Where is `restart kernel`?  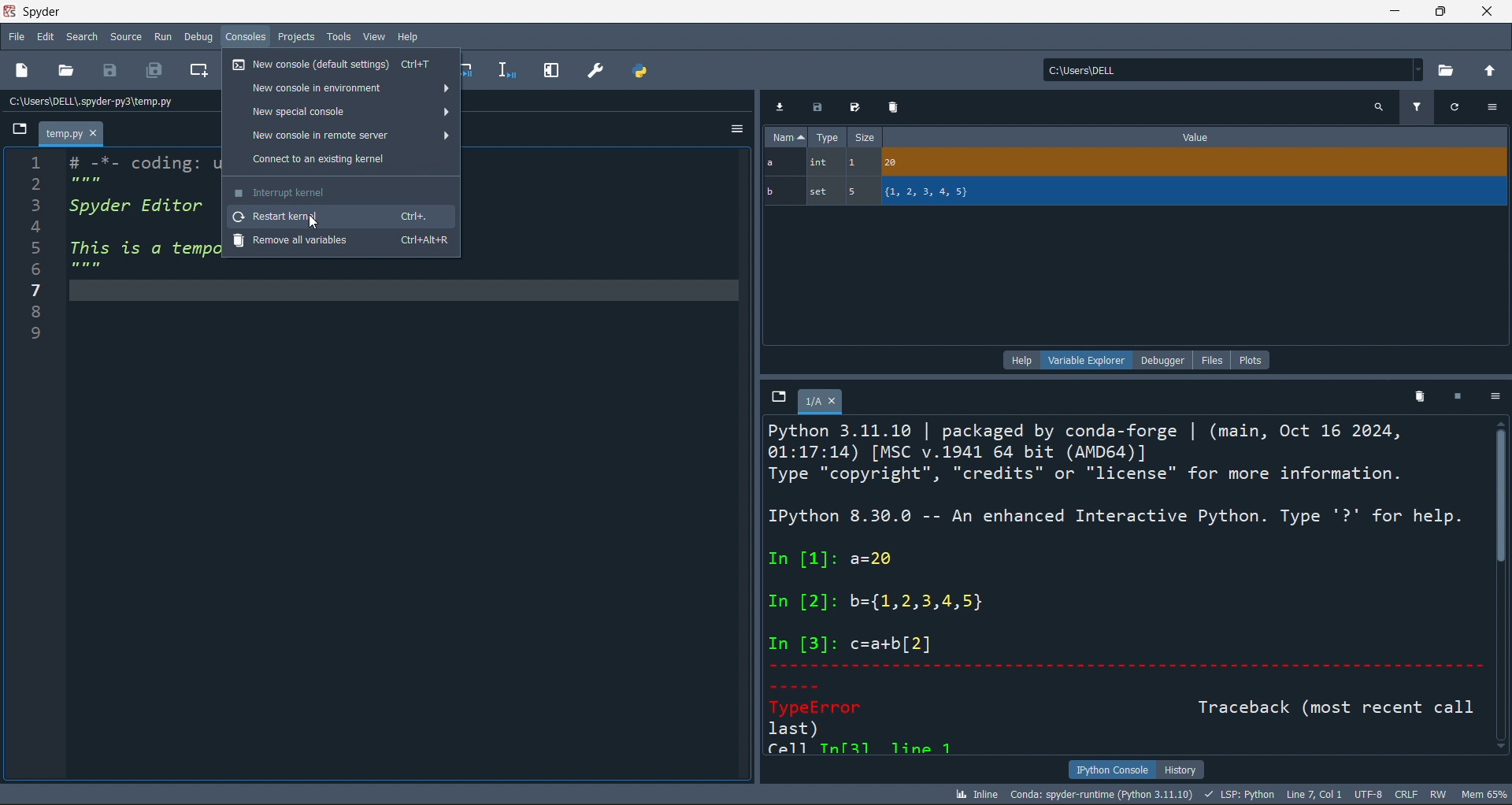 restart kernel is located at coordinates (341, 215).